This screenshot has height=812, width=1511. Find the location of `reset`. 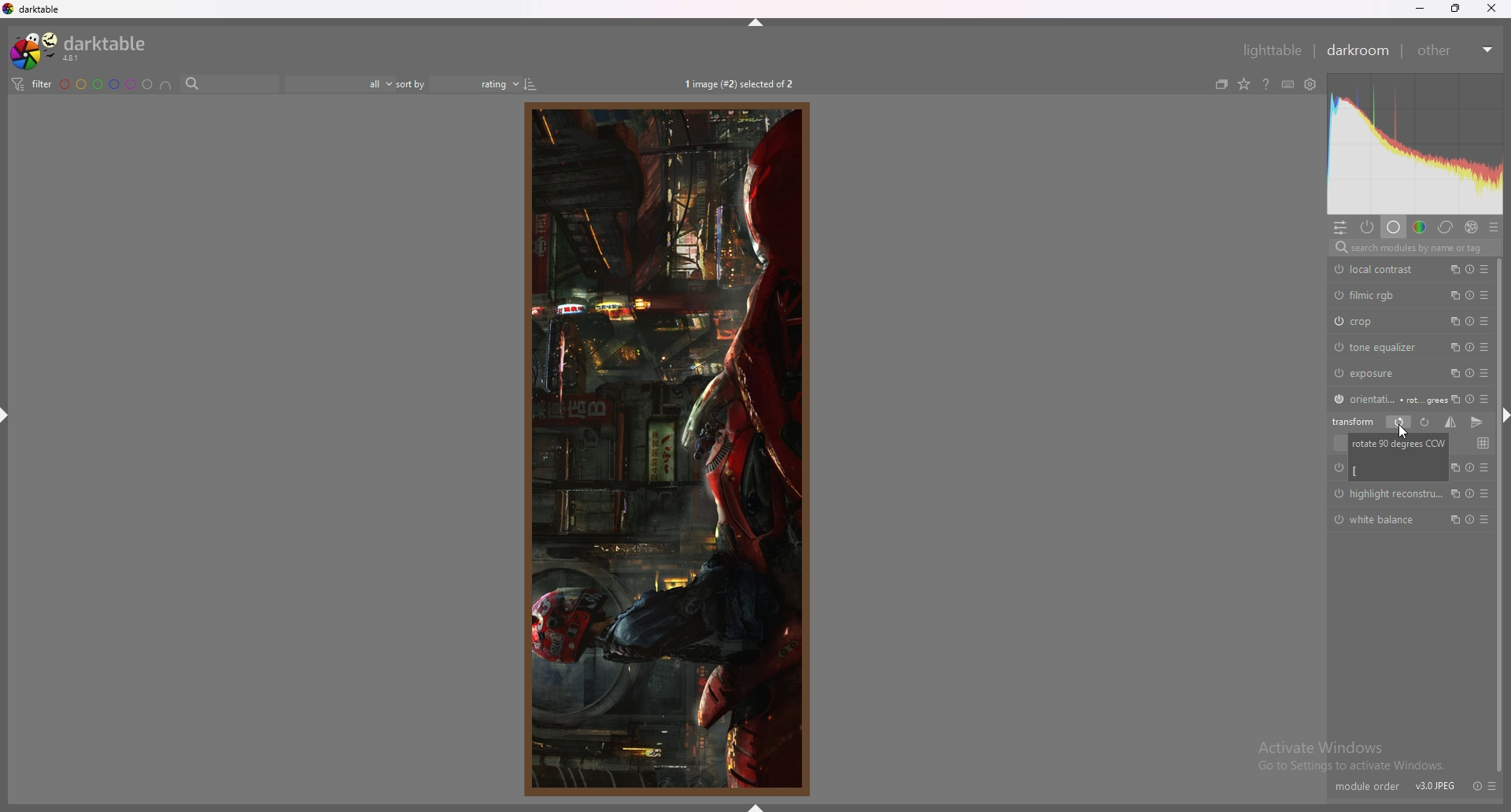

reset is located at coordinates (1474, 785).